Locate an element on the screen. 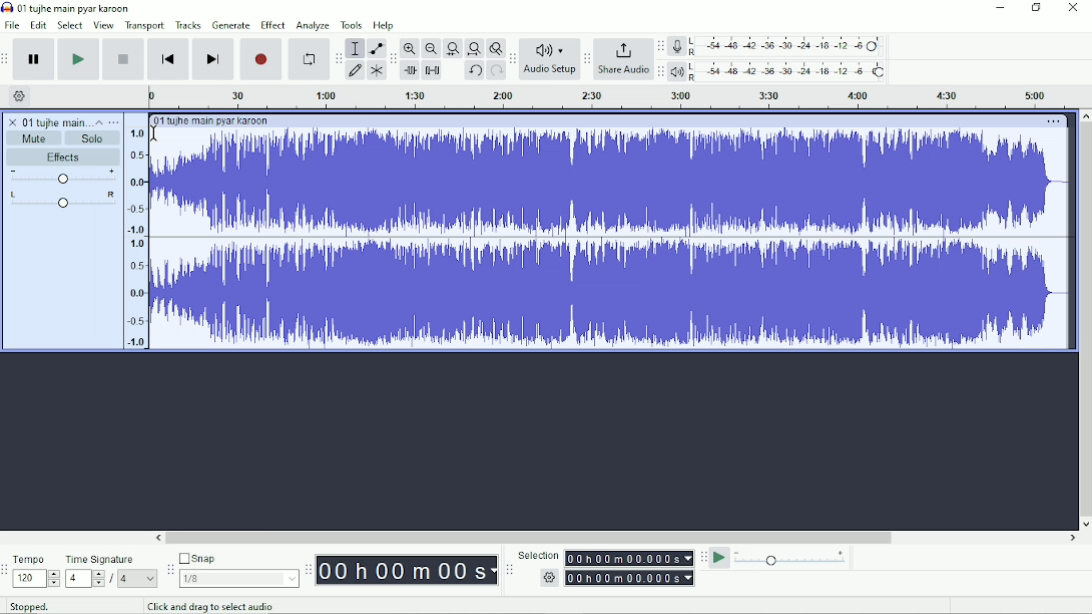 The height and width of the screenshot is (614, 1092). Audacity selection toolbar is located at coordinates (509, 570).